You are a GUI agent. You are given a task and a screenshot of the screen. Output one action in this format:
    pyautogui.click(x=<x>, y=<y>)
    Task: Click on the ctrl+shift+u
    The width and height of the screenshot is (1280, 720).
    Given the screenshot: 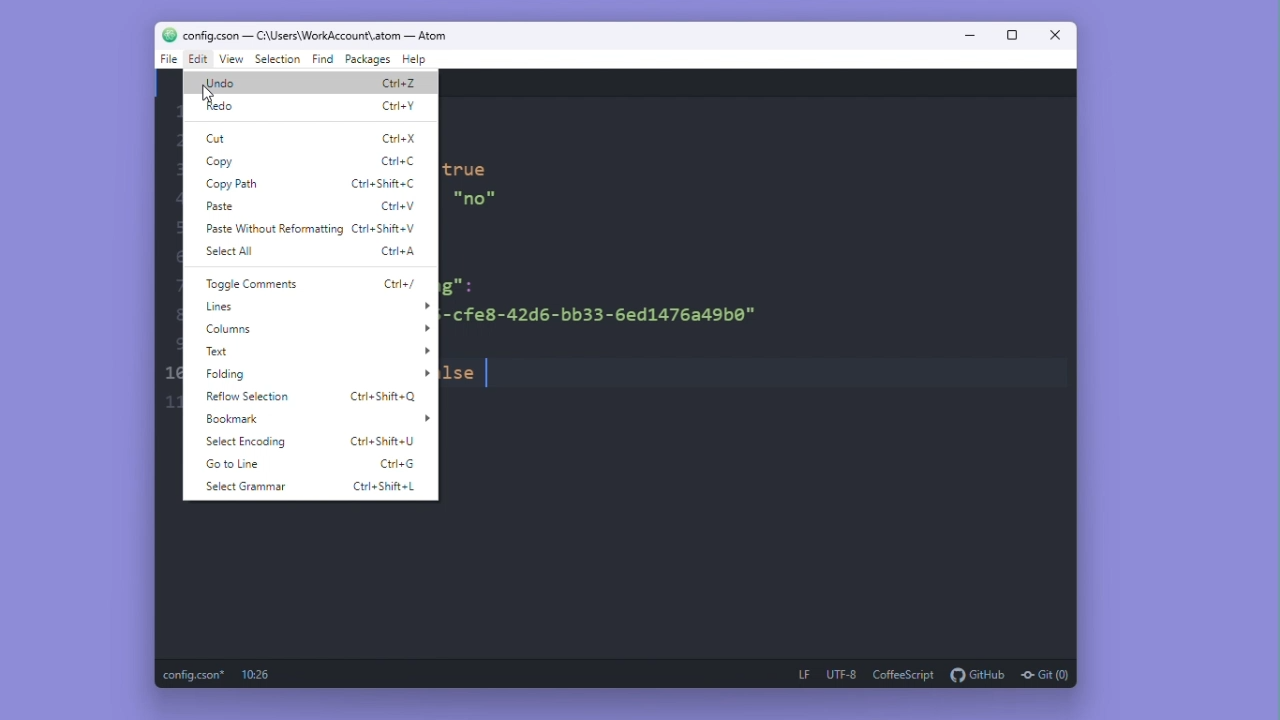 What is the action you would take?
    pyautogui.click(x=383, y=443)
    